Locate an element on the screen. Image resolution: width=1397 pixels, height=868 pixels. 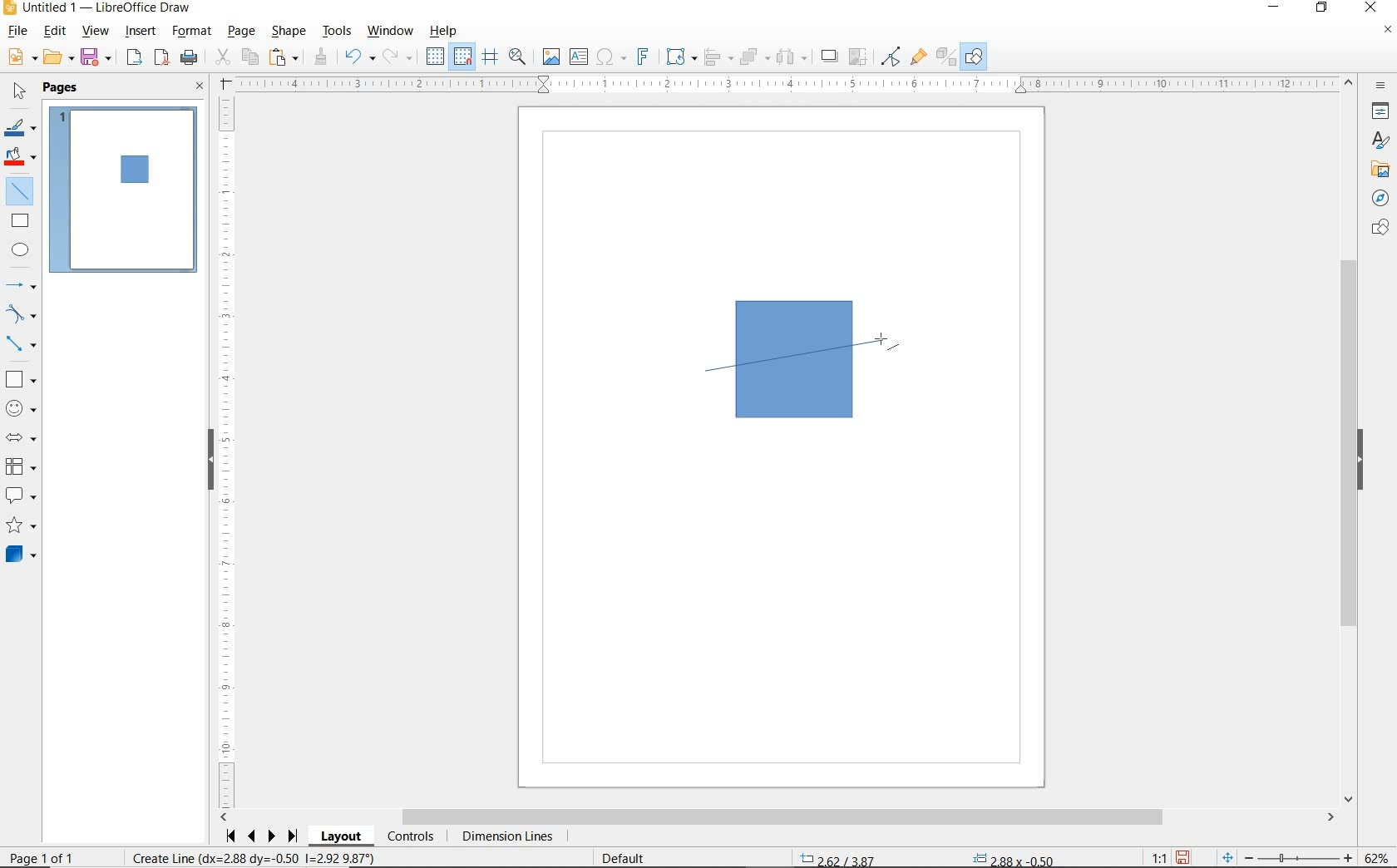
INSERT FRONTWORK TEXT is located at coordinates (642, 57).